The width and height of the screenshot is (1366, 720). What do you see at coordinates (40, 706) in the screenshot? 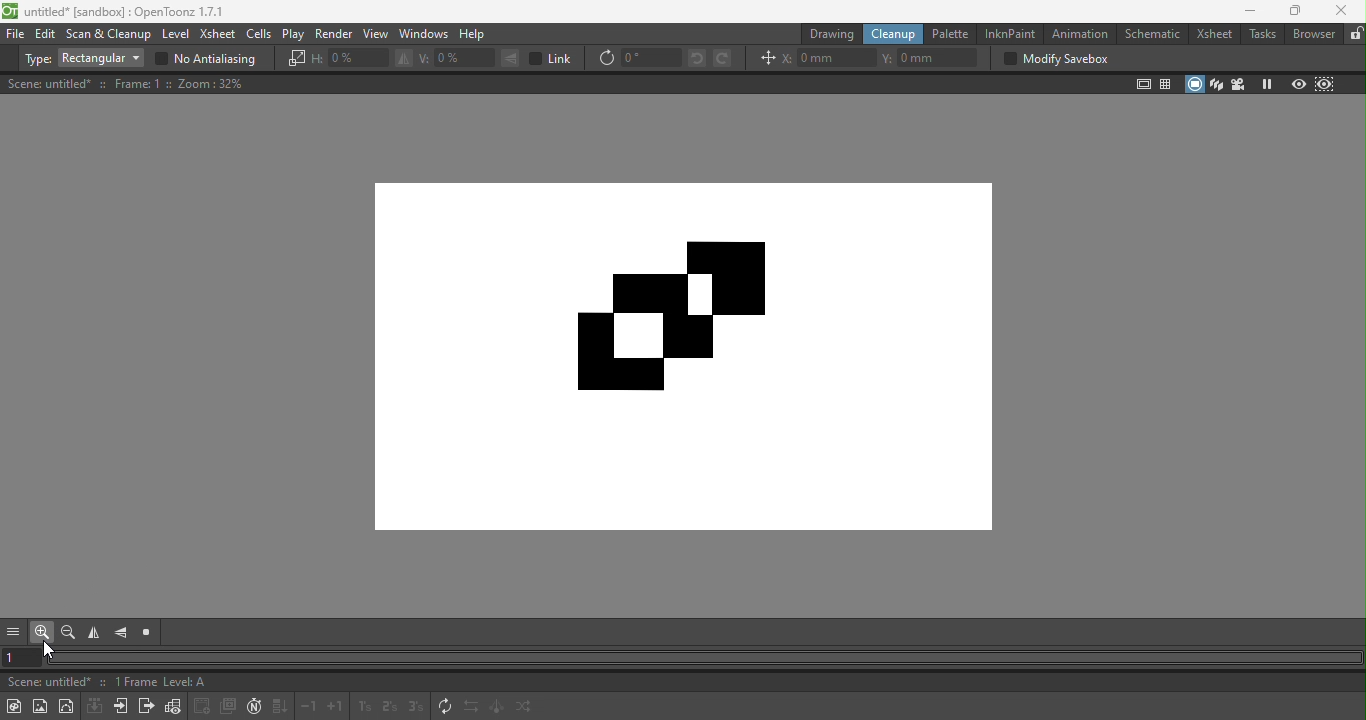
I see `New raster level` at bounding box center [40, 706].